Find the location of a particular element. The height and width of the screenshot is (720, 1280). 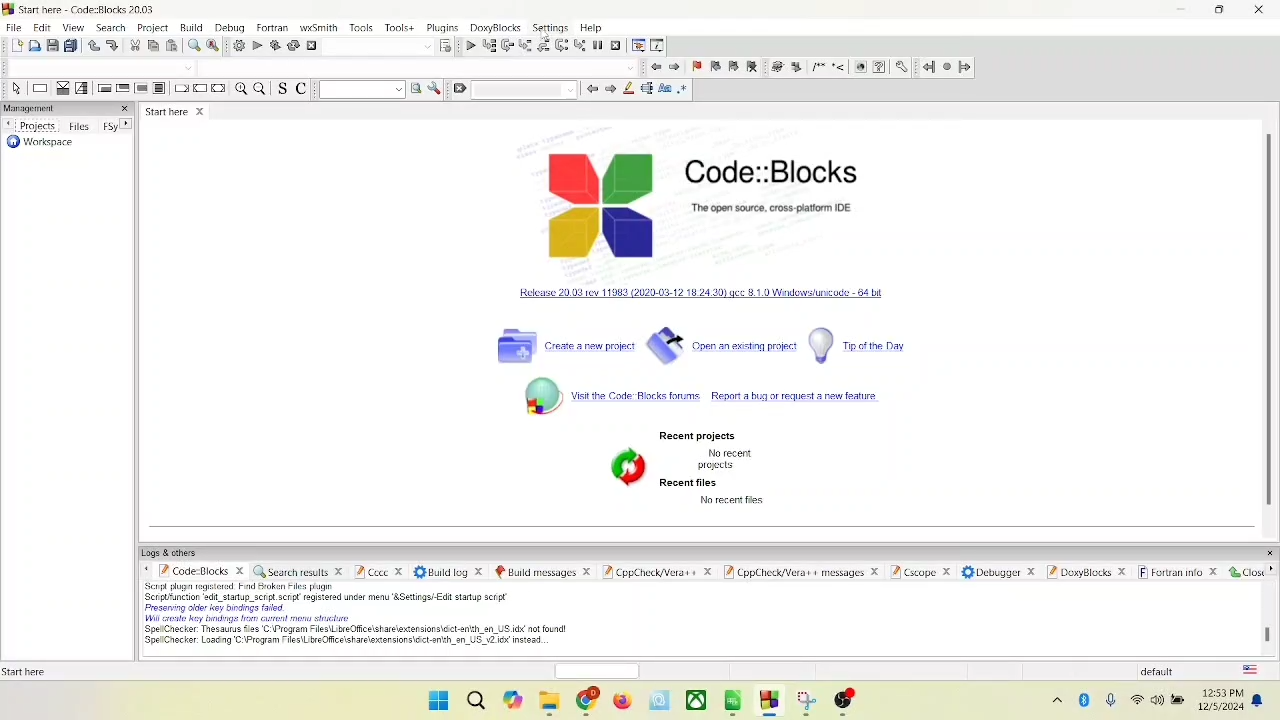

debug is located at coordinates (467, 46).